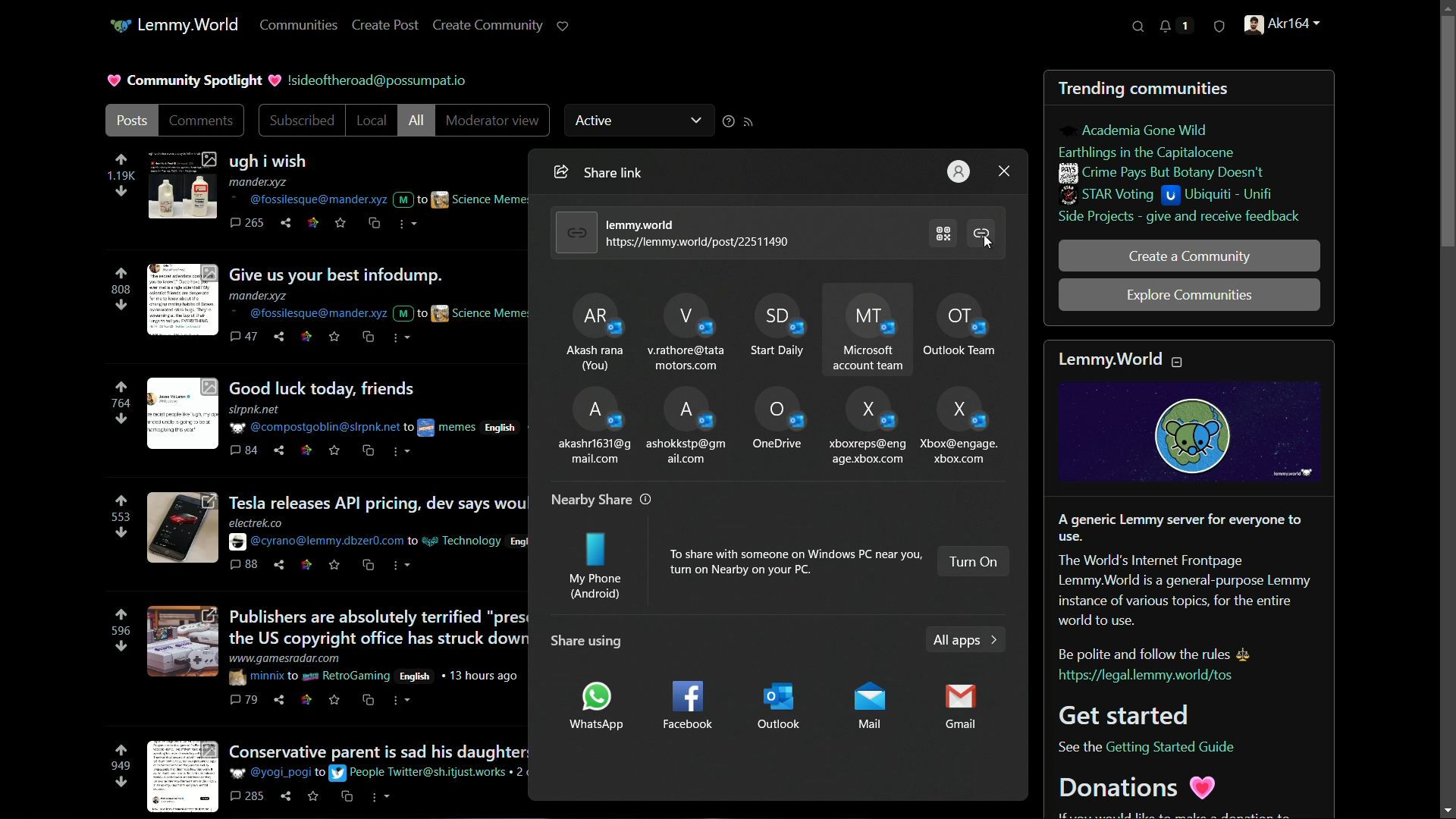  I want to click on 265 comments, so click(248, 224).